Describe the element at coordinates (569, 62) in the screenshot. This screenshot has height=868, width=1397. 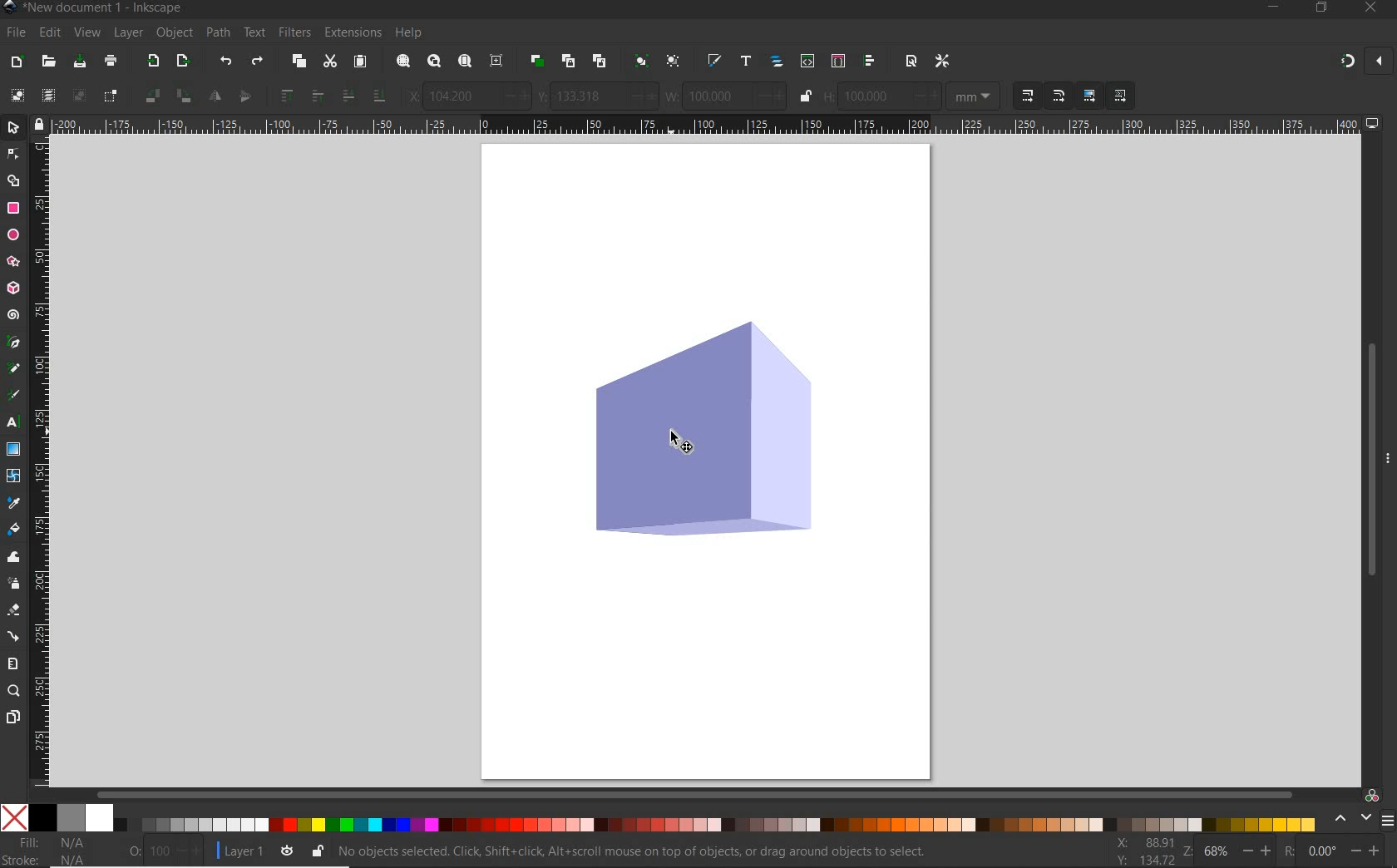
I see `CREATE CLONE` at that location.